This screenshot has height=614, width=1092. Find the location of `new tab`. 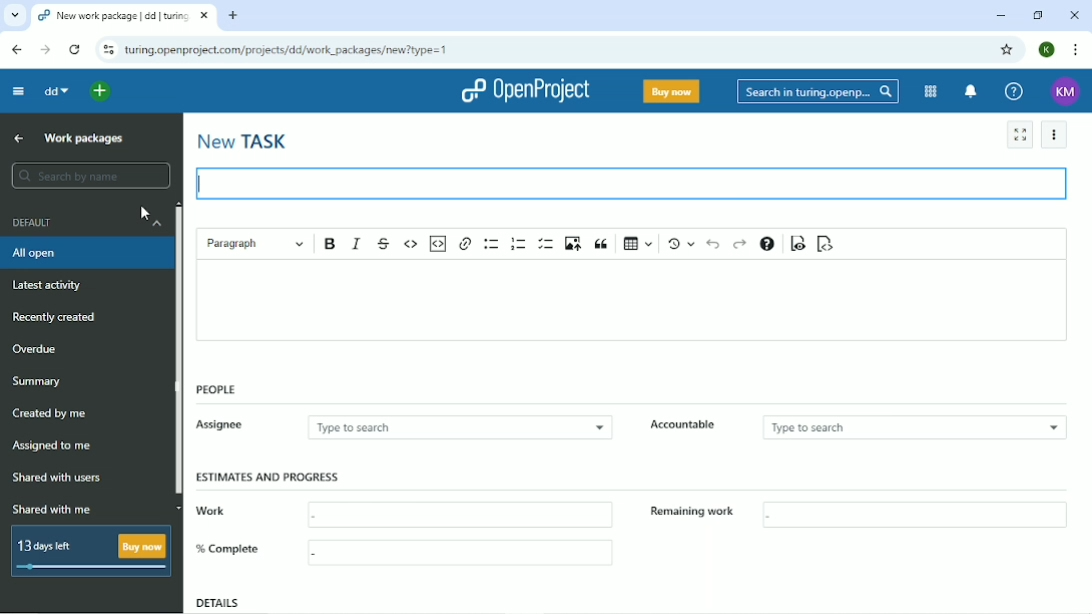

new tab is located at coordinates (238, 18).